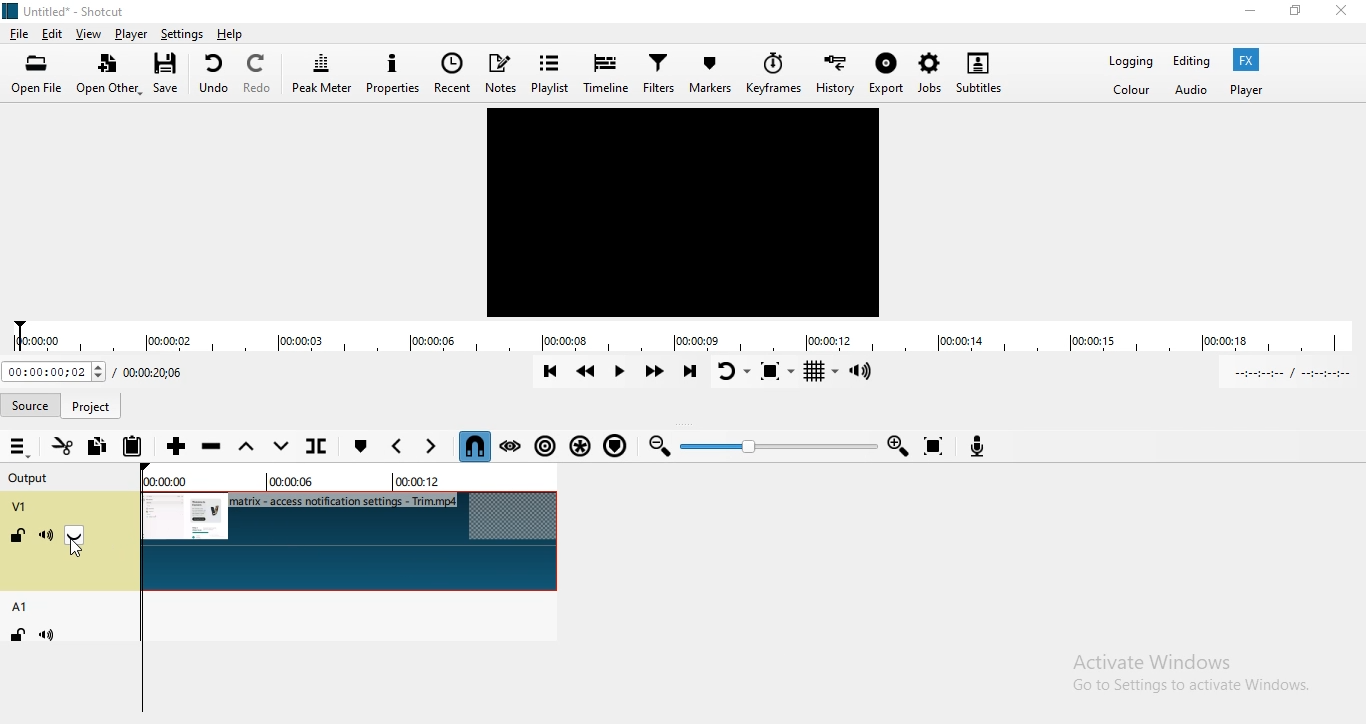 This screenshot has height=724, width=1366. Describe the element at coordinates (134, 444) in the screenshot. I see `Paste ` at that location.